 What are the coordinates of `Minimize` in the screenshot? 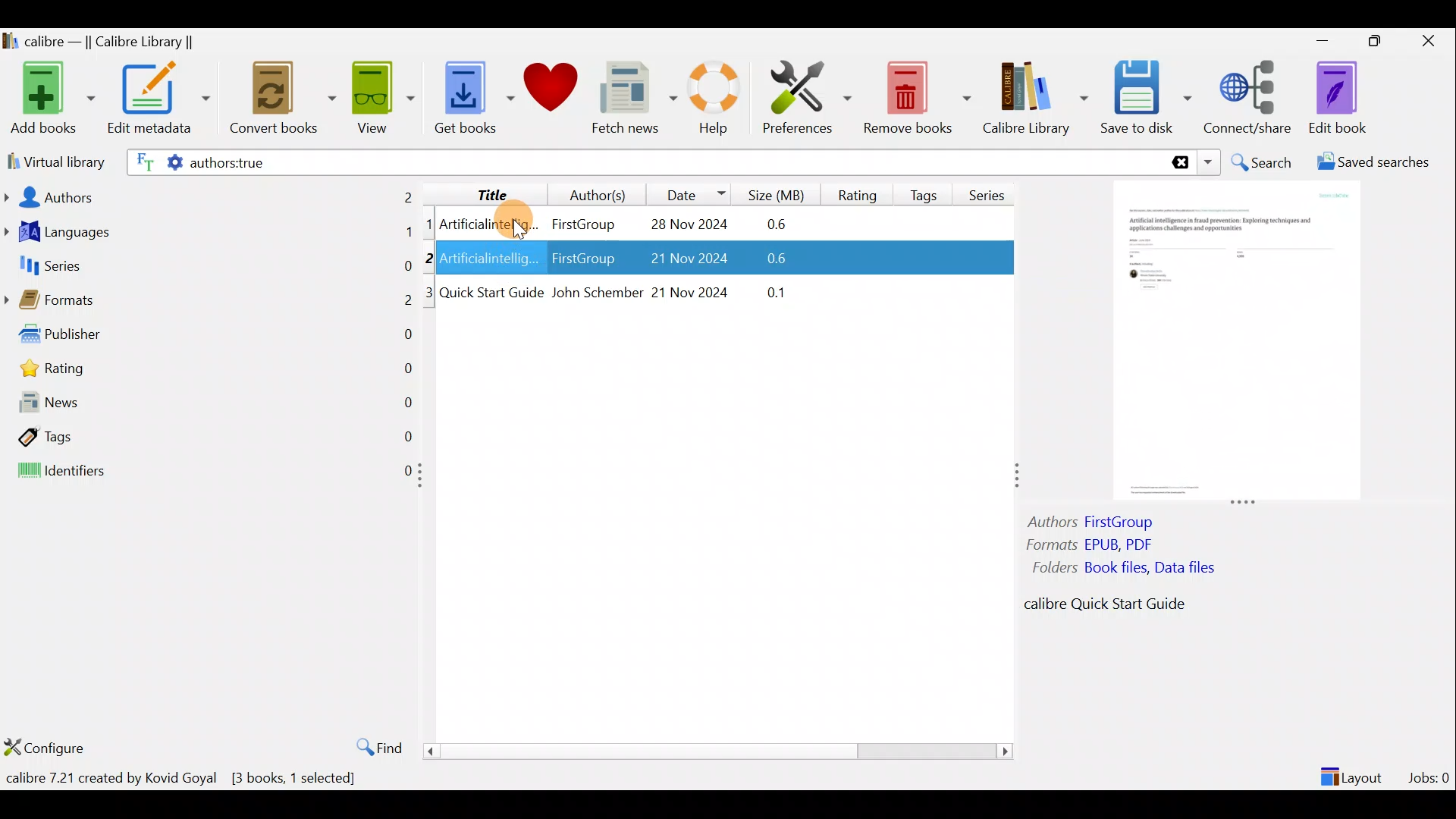 It's located at (1323, 40).